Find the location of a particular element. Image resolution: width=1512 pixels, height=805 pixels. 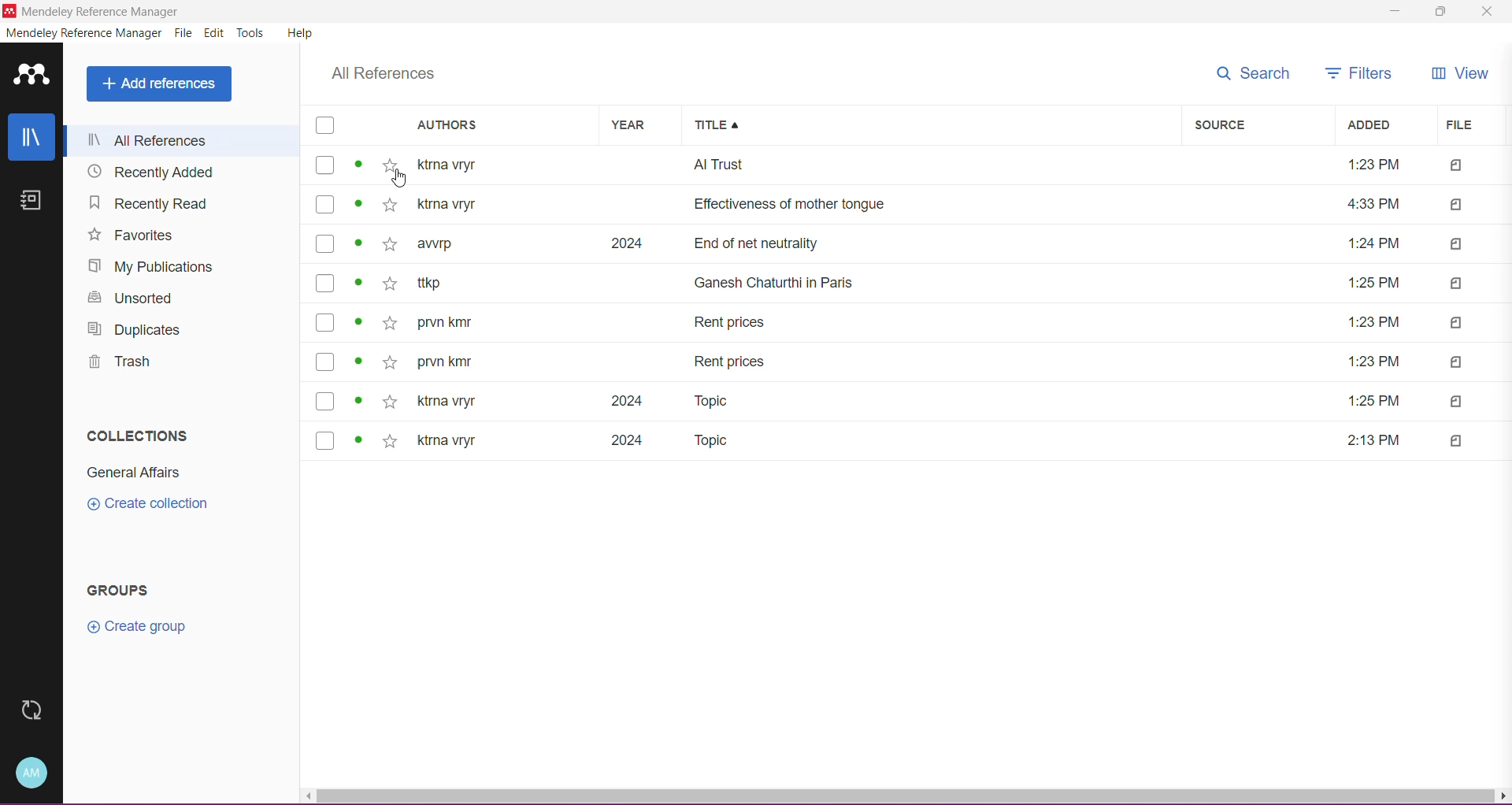

Collections is located at coordinates (137, 434).